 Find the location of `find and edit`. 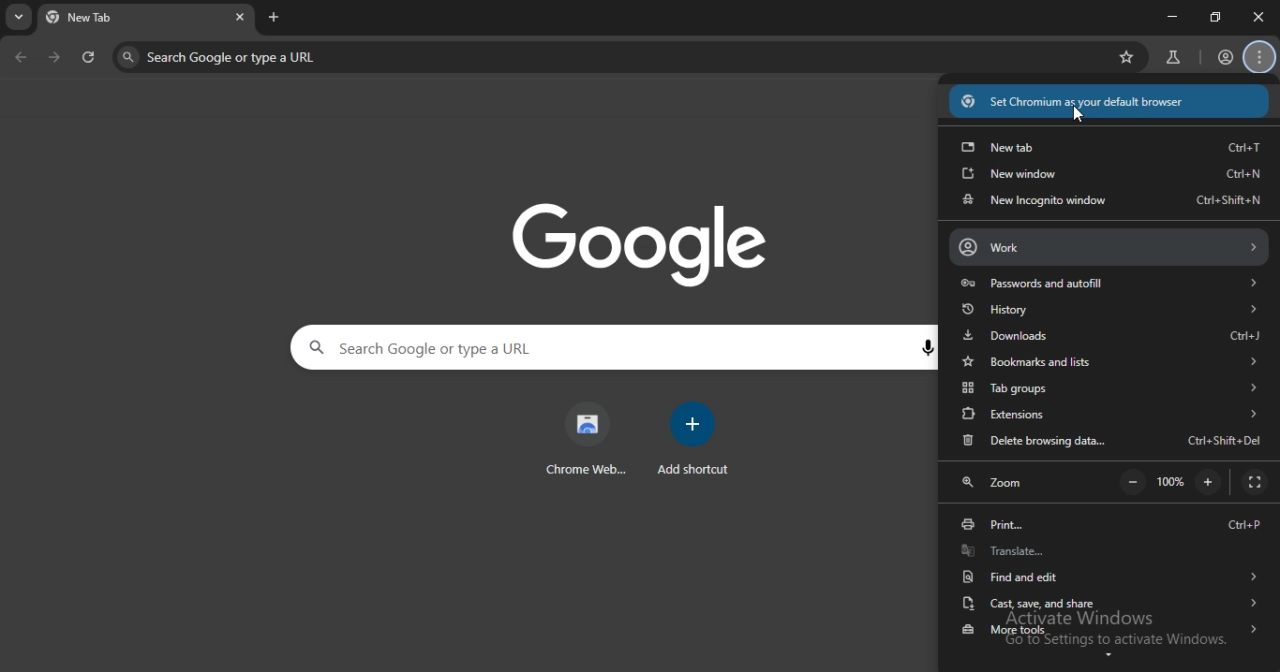

find and edit is located at coordinates (1109, 576).